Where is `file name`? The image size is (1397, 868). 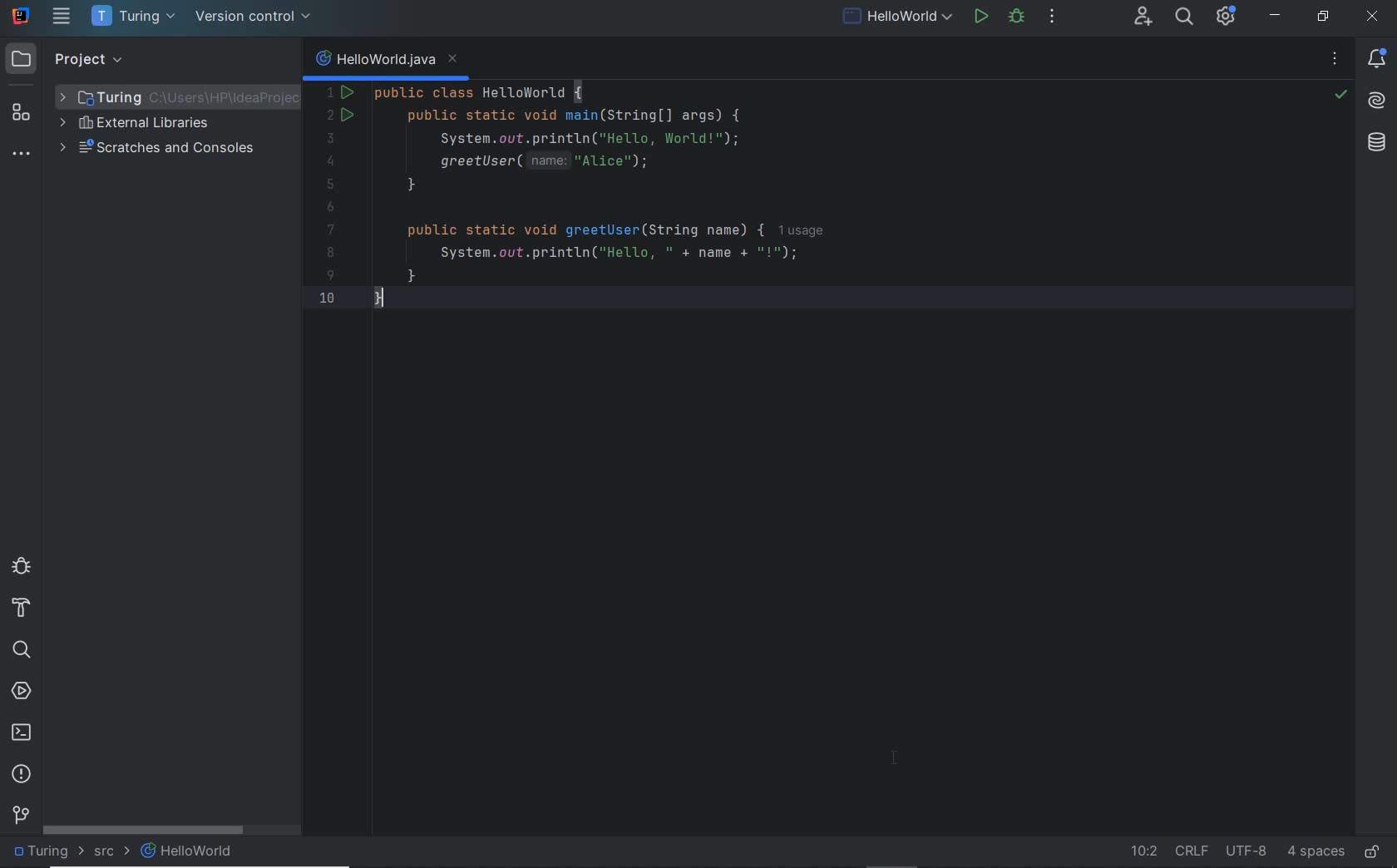
file name is located at coordinates (385, 59).